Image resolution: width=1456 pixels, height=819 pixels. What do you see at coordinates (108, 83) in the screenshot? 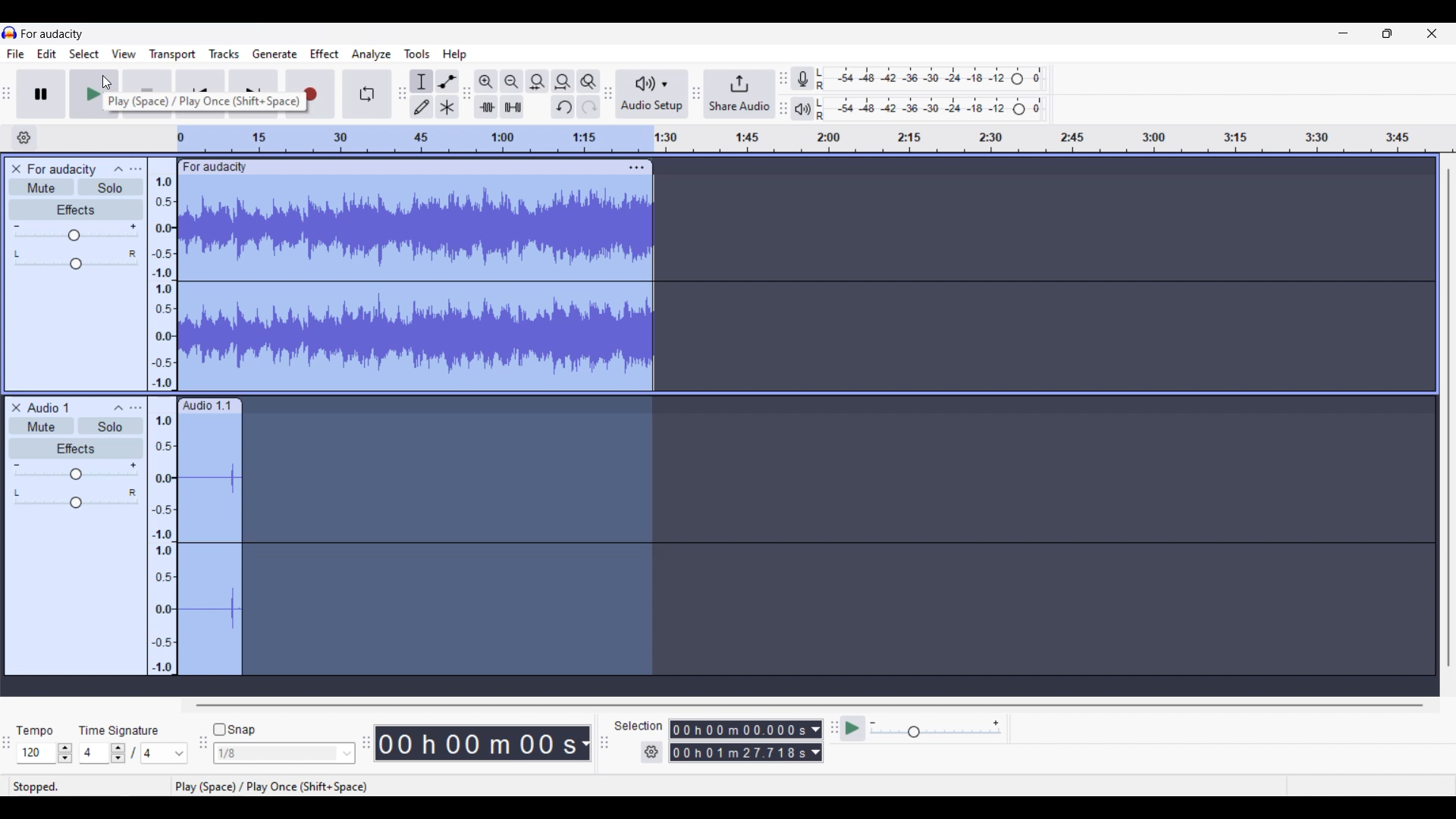
I see `Cursor position unchanged` at bounding box center [108, 83].